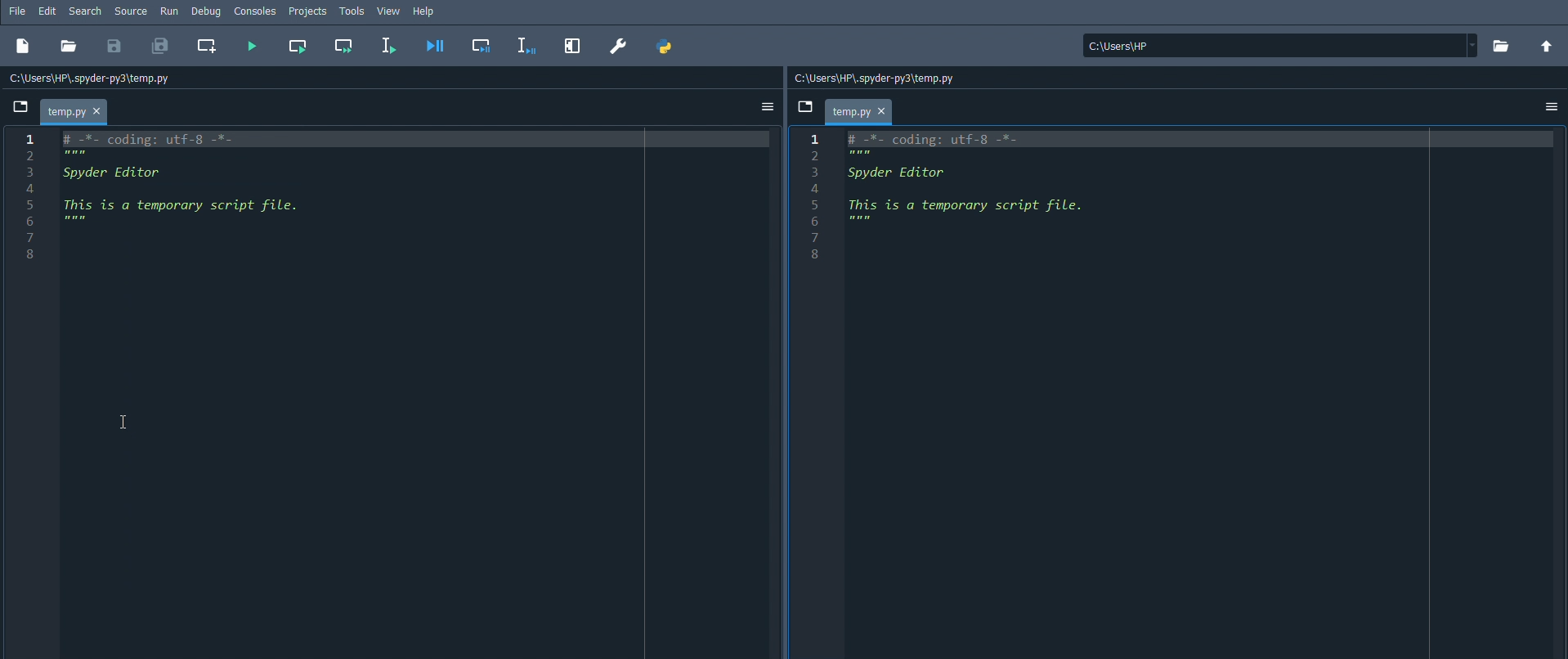 The image size is (1568, 659). Describe the element at coordinates (116, 47) in the screenshot. I see `Save file` at that location.